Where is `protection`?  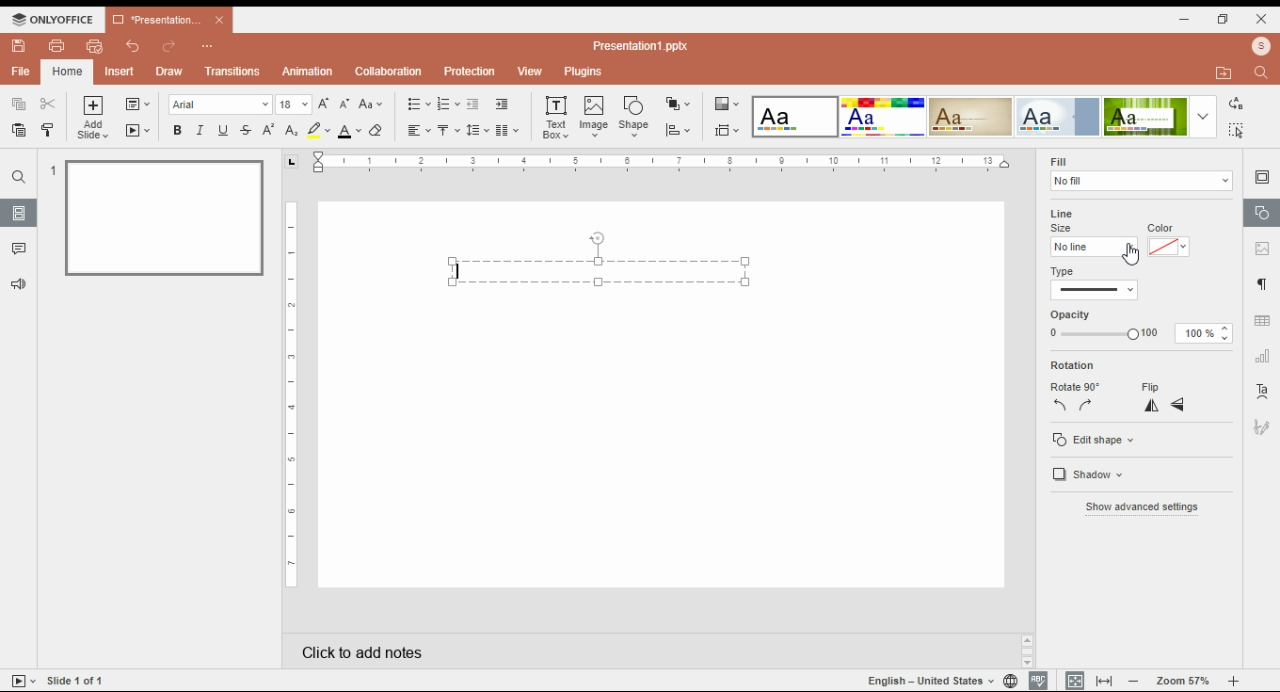
protection is located at coordinates (470, 70).